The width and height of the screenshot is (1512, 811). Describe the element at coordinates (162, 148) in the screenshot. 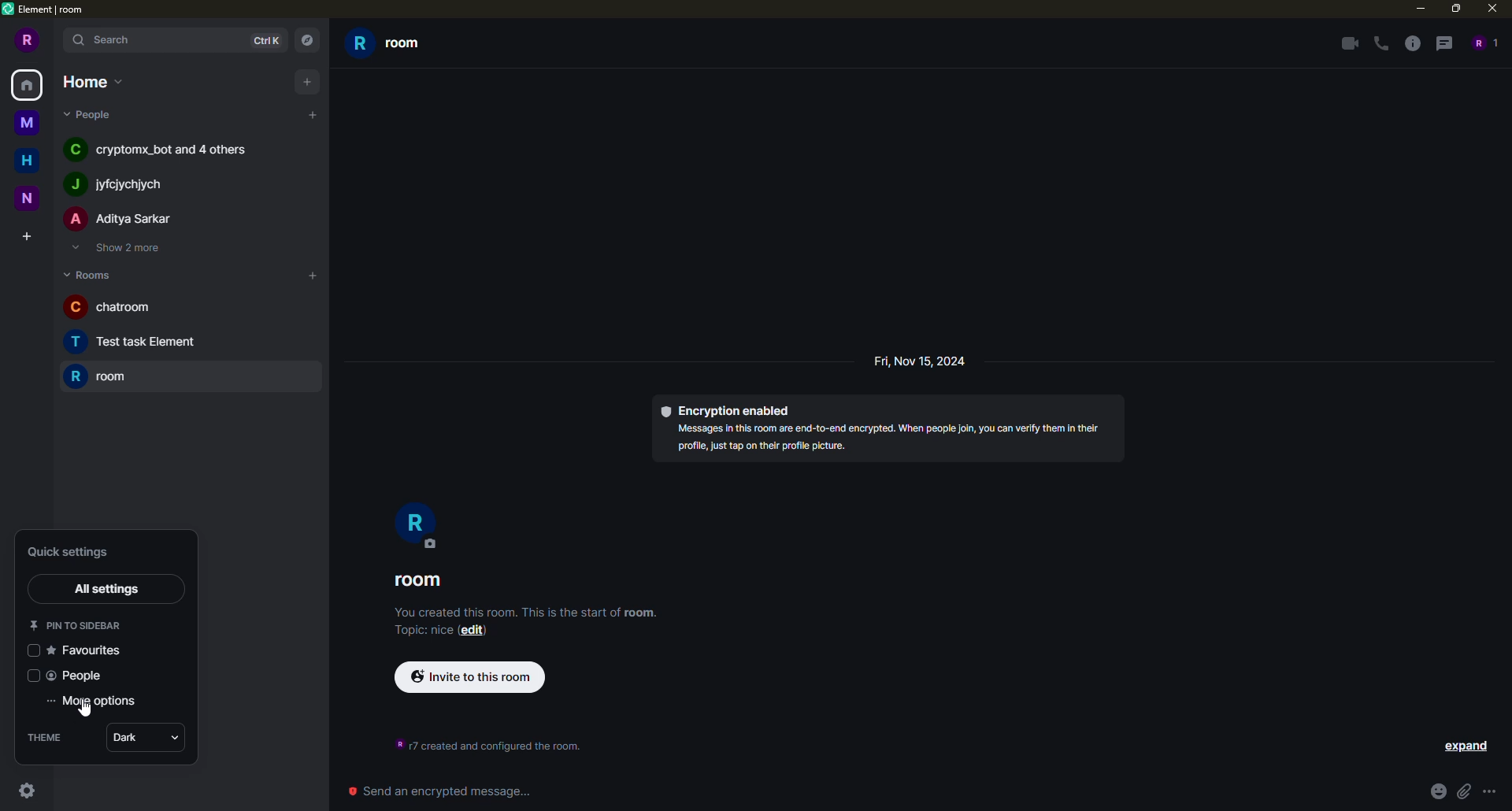

I see `C  cryptomx_bot and 4 others` at that location.